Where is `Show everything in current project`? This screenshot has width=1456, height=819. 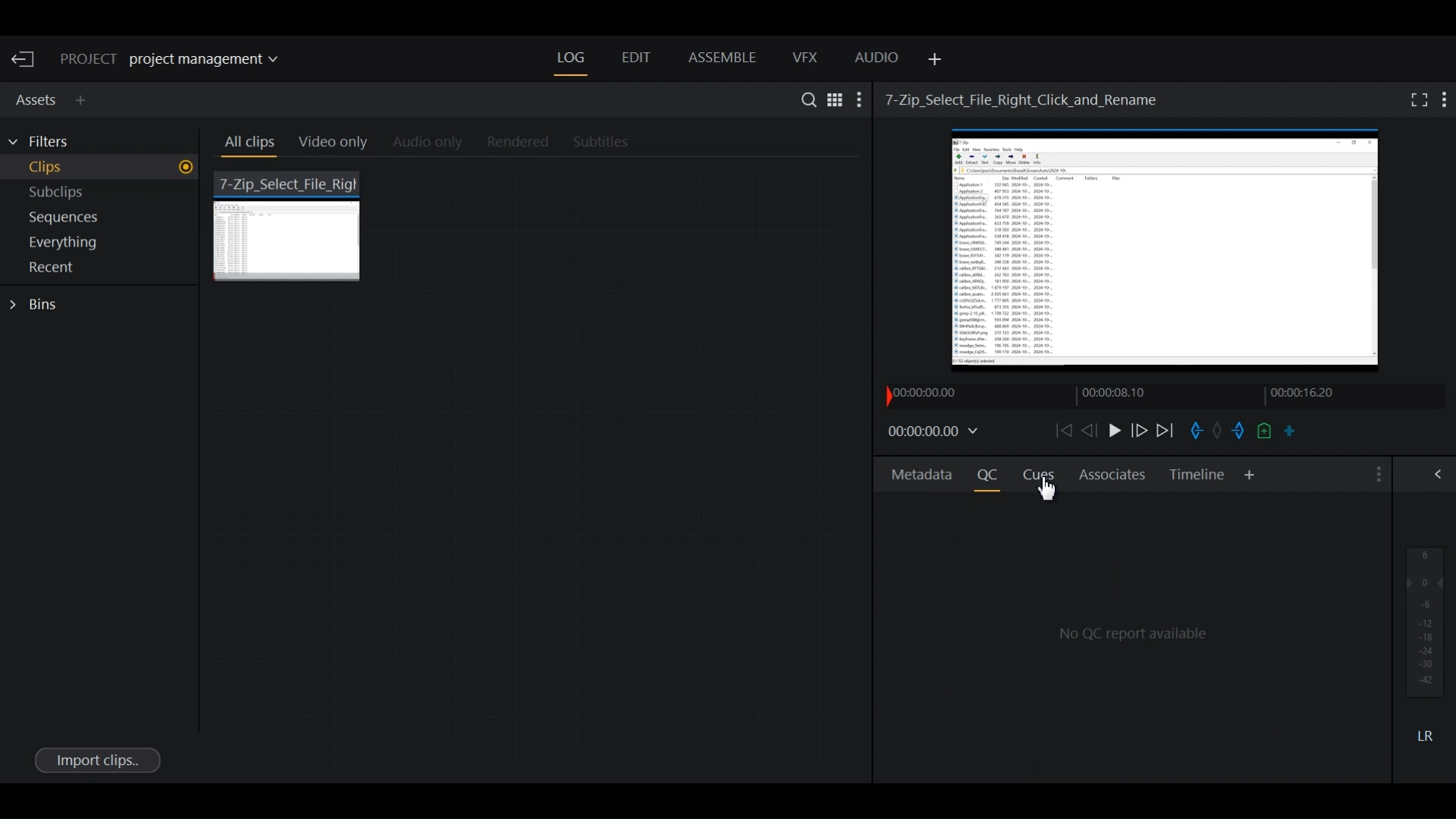 Show everything in current project is located at coordinates (103, 244).